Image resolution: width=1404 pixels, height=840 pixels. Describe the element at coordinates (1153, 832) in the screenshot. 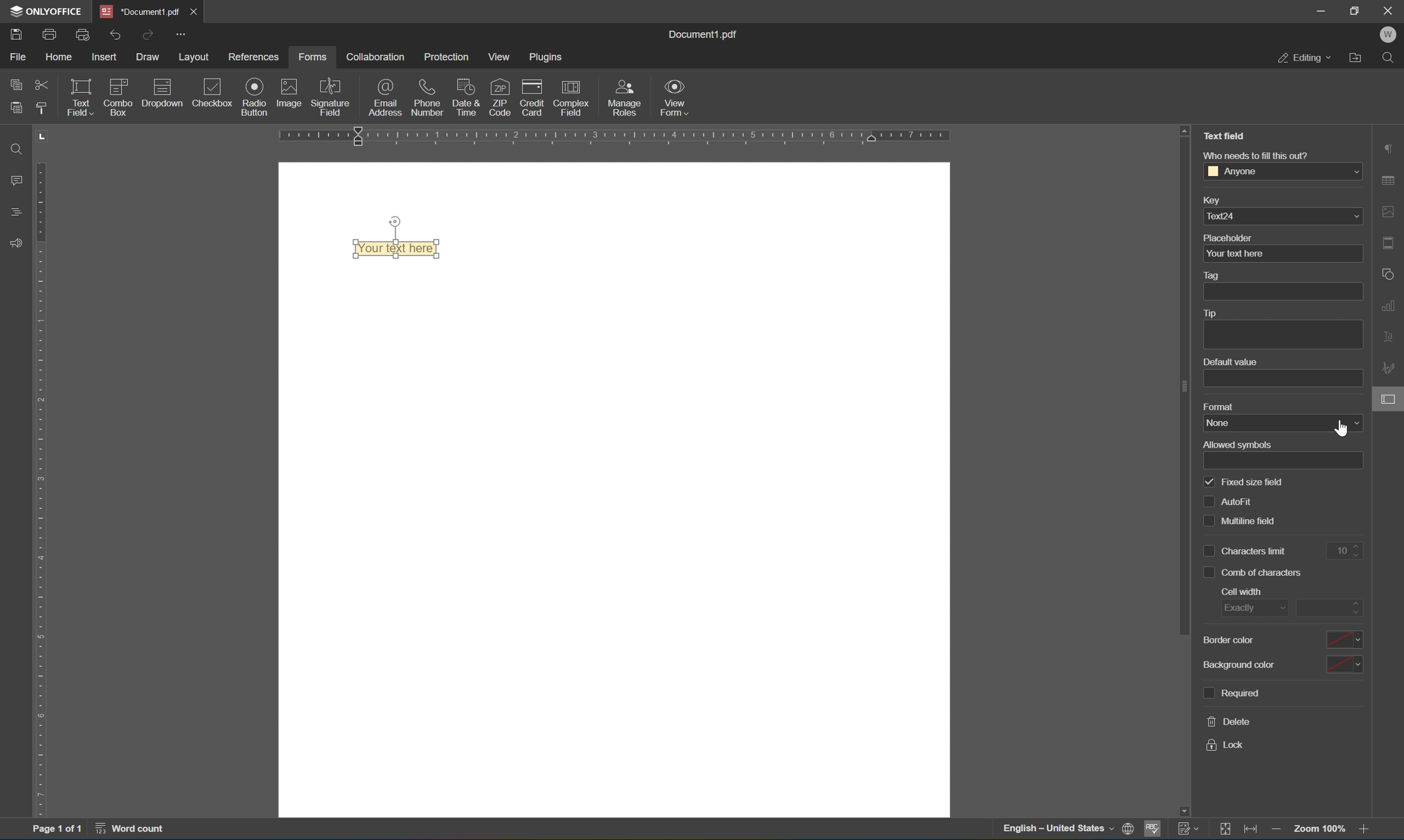

I see `spell checking` at that location.